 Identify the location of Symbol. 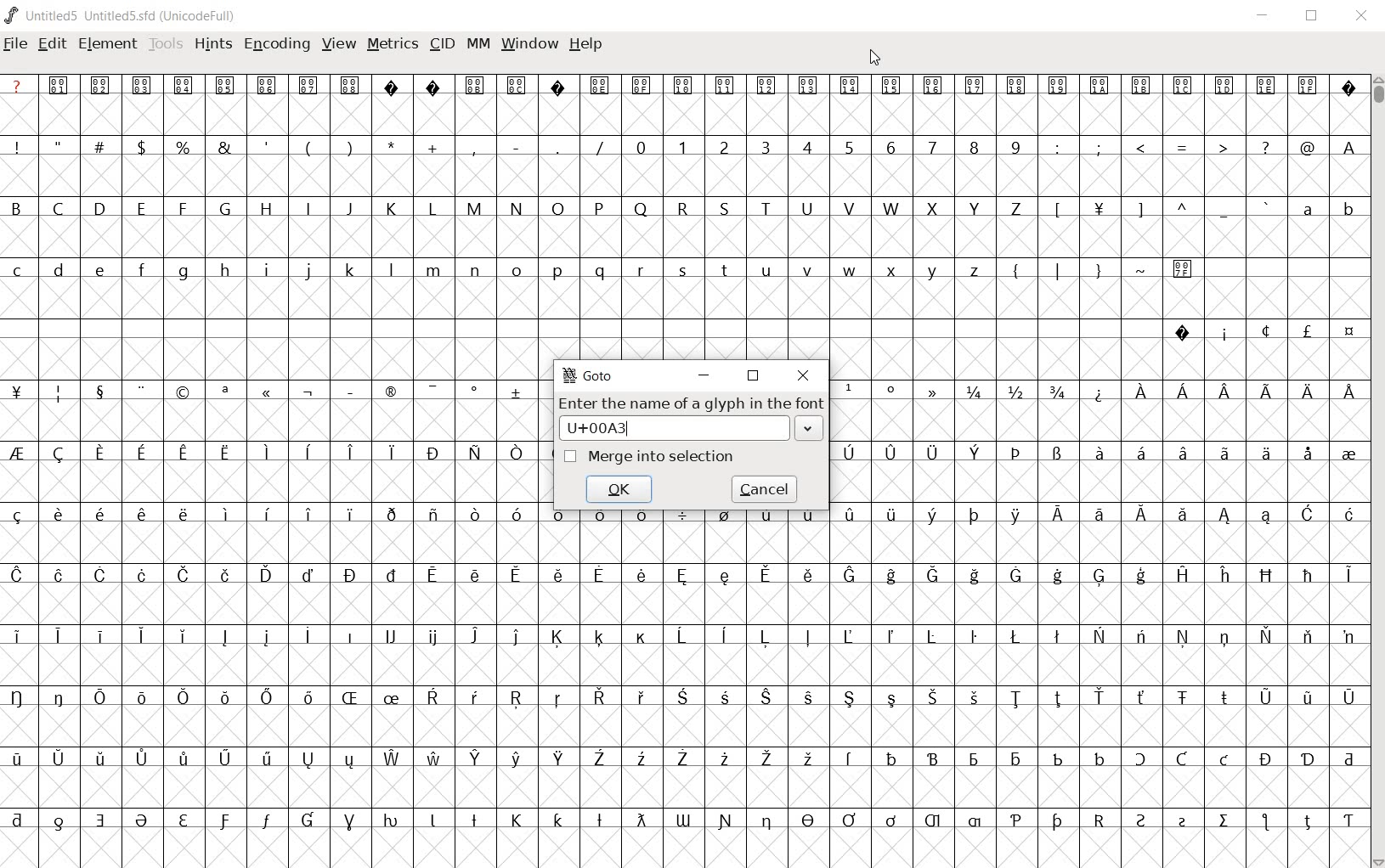
(808, 517).